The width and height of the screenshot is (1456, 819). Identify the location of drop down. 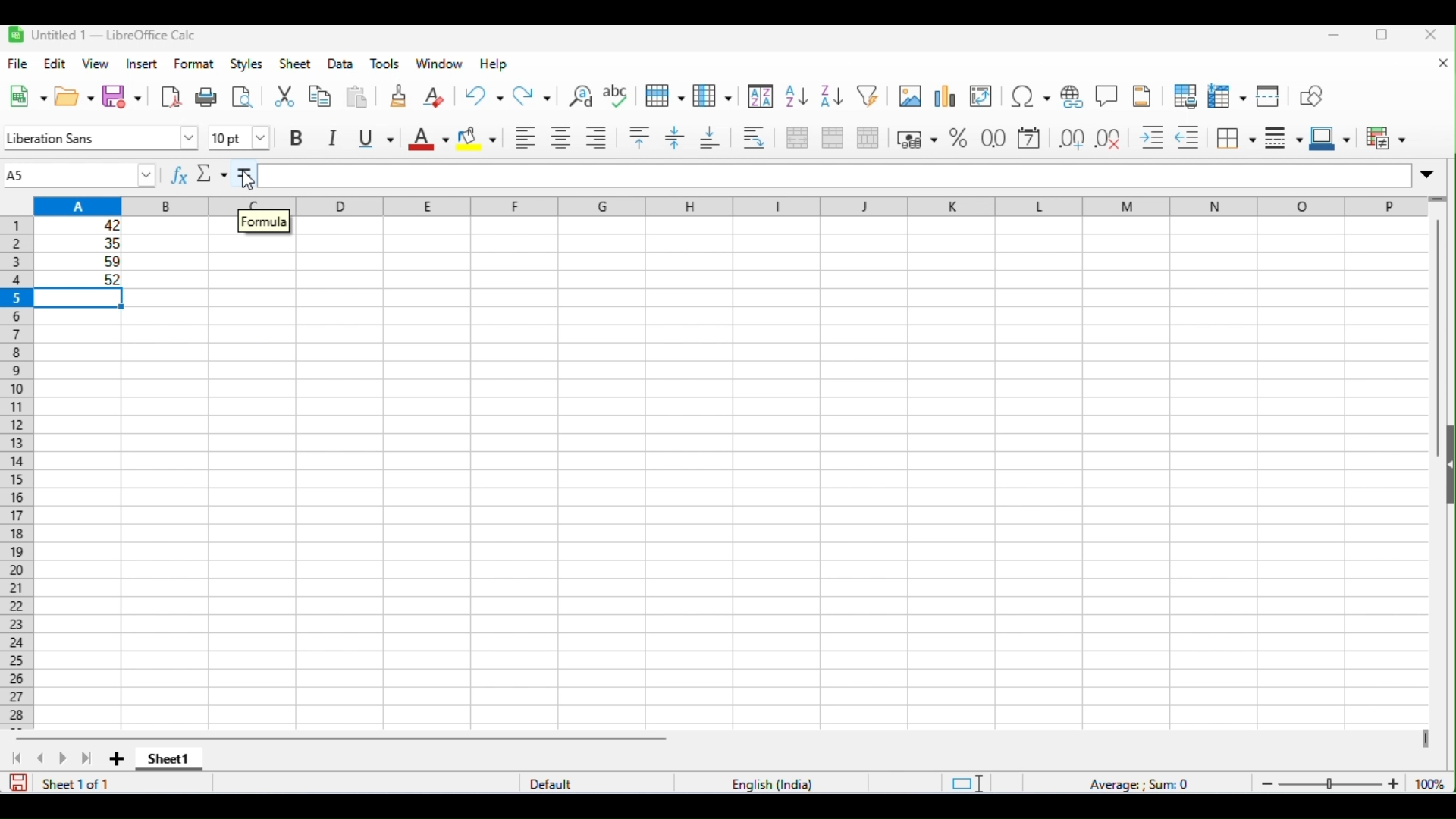
(147, 173).